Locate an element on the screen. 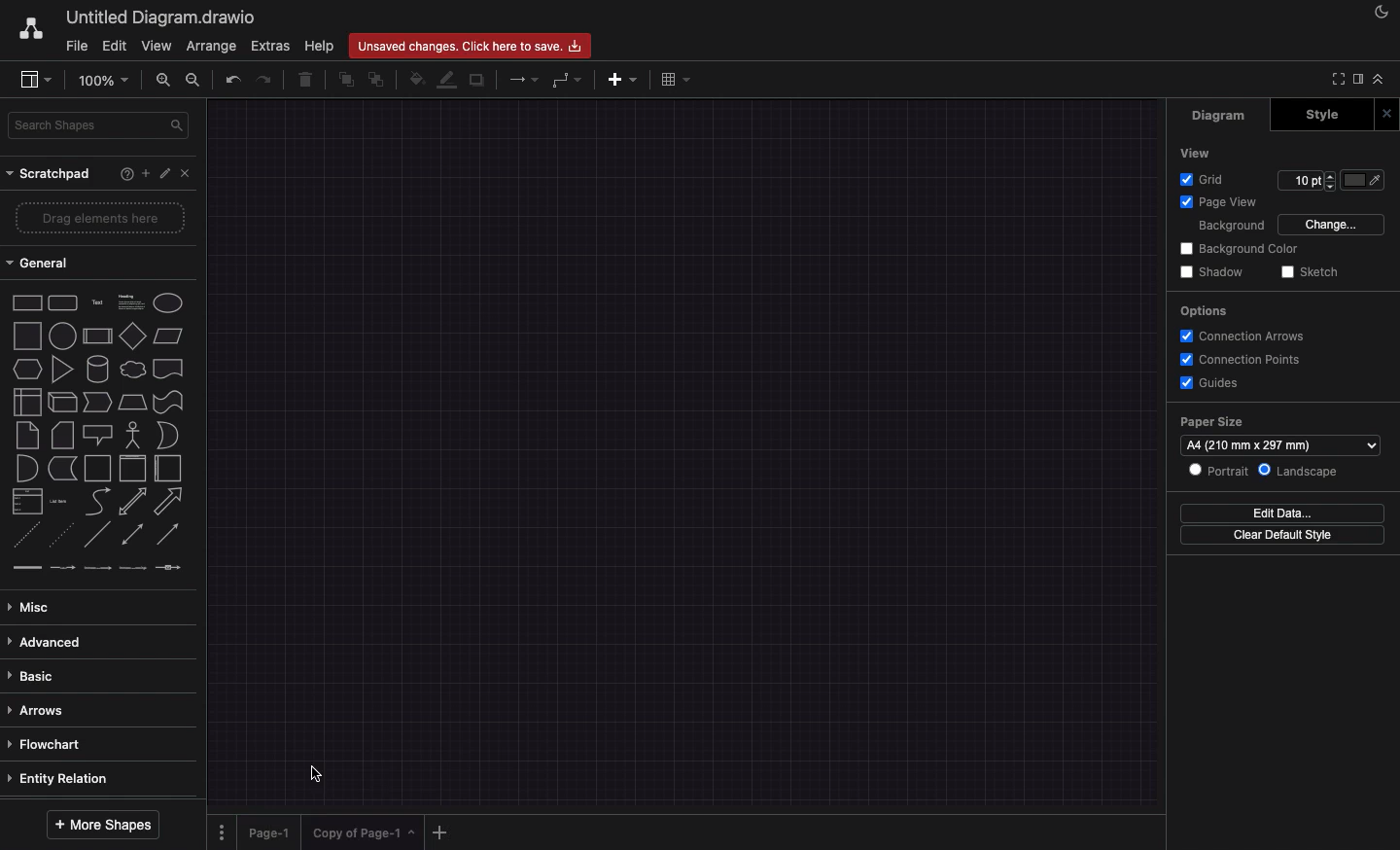 This screenshot has width=1400, height=850. page view is located at coordinates (1219, 203).